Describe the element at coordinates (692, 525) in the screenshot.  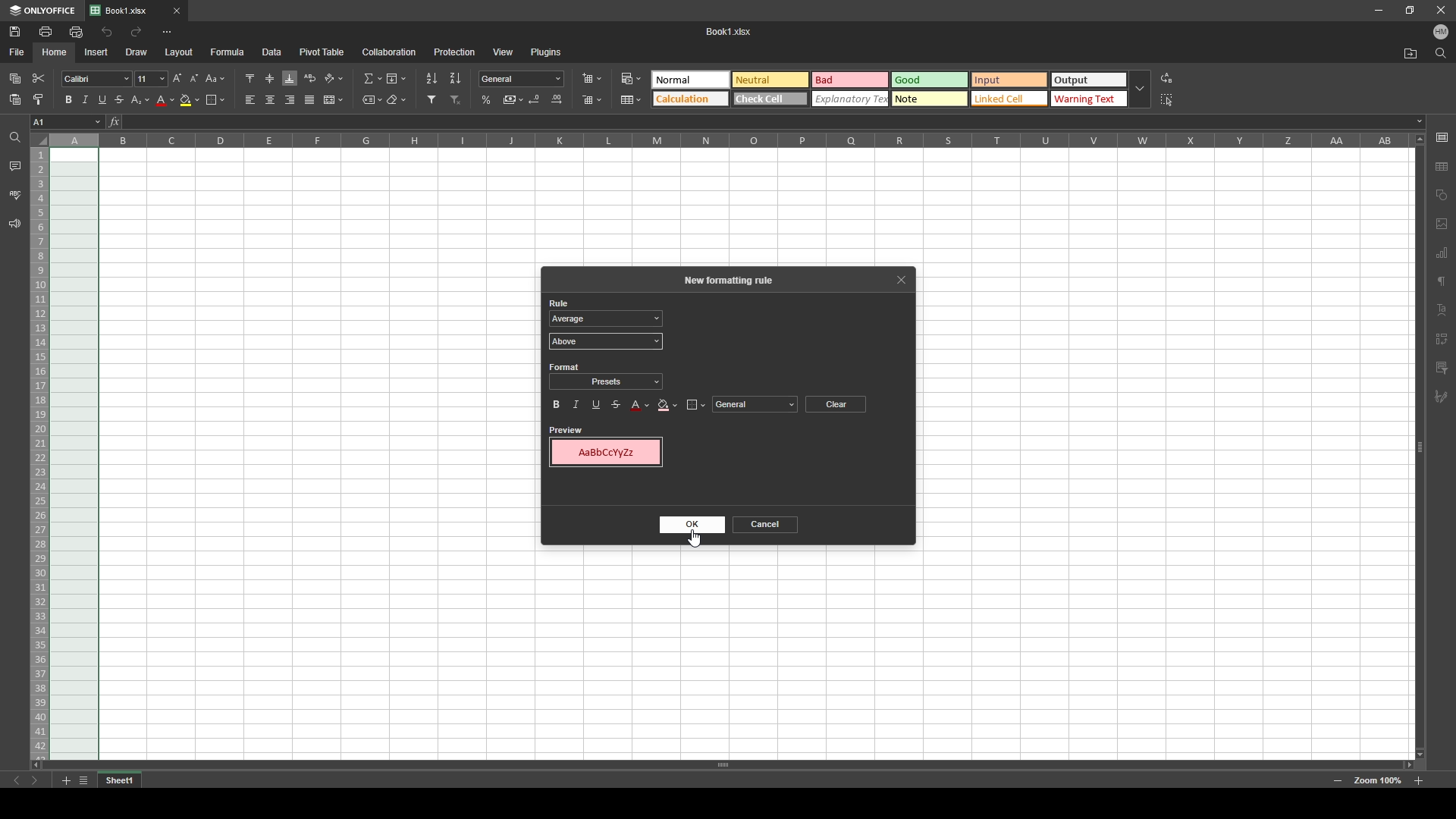
I see `ok` at that location.